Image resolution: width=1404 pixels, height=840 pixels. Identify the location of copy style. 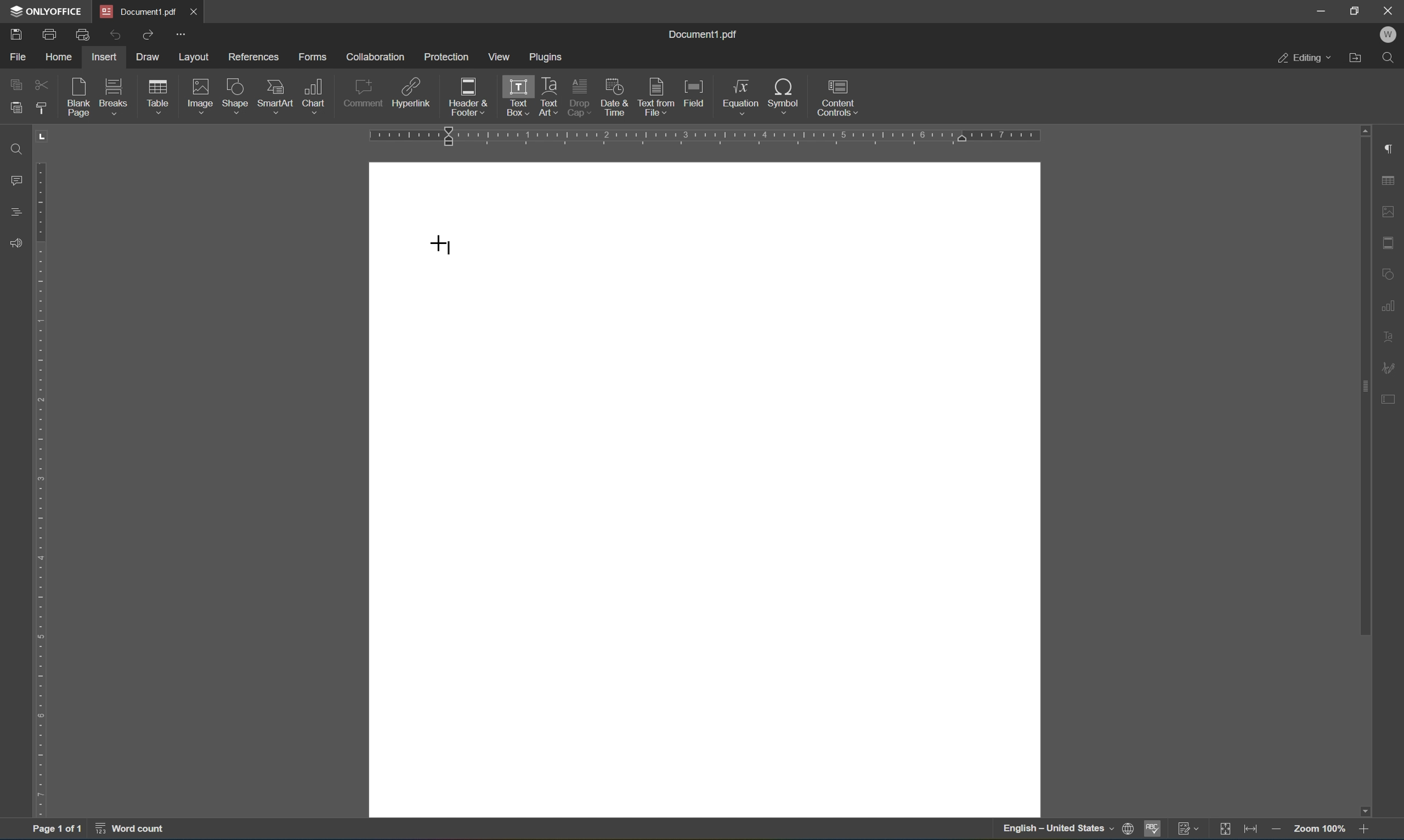
(41, 108).